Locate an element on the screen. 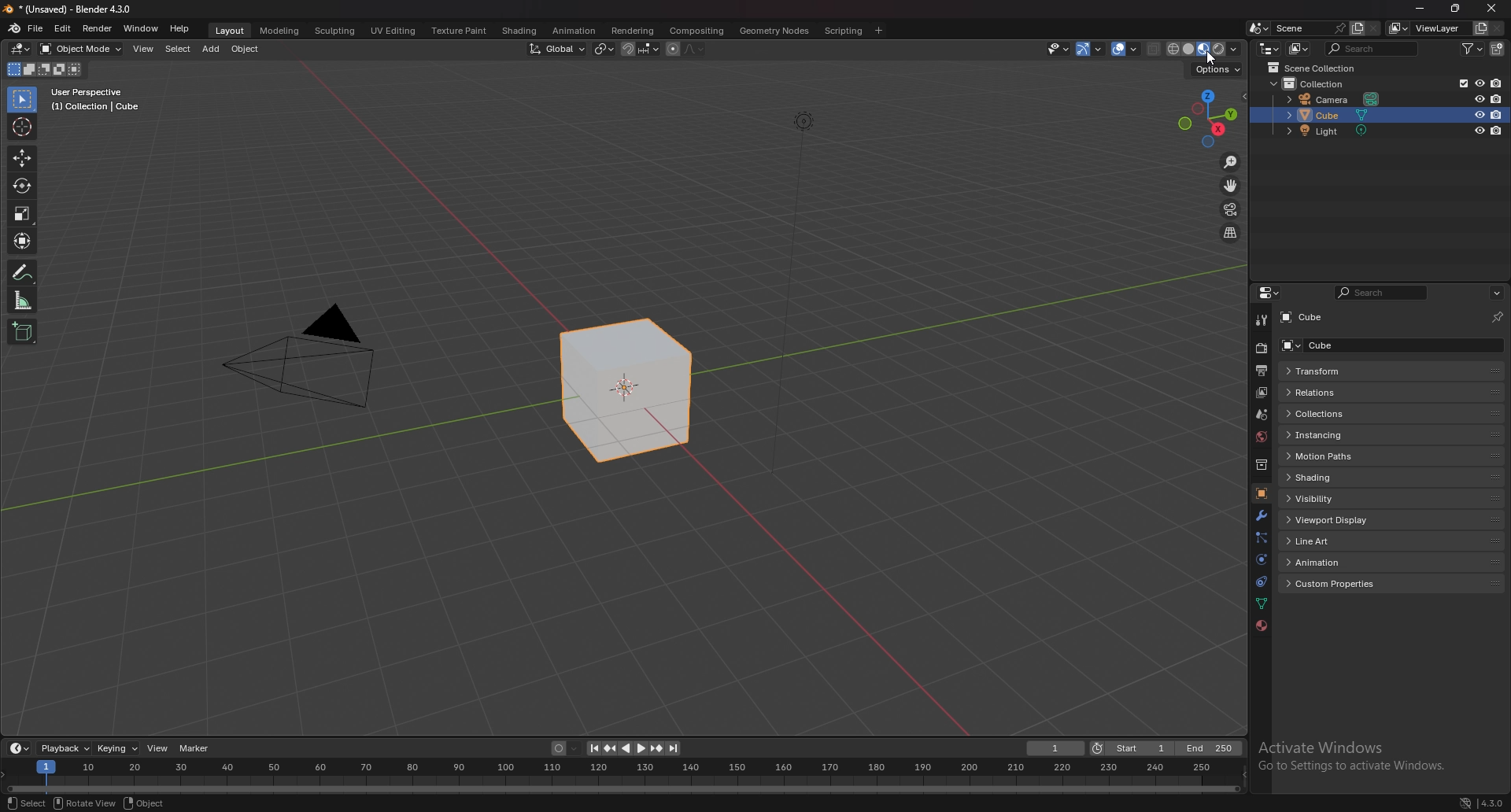  lighting is located at coordinates (804, 129).